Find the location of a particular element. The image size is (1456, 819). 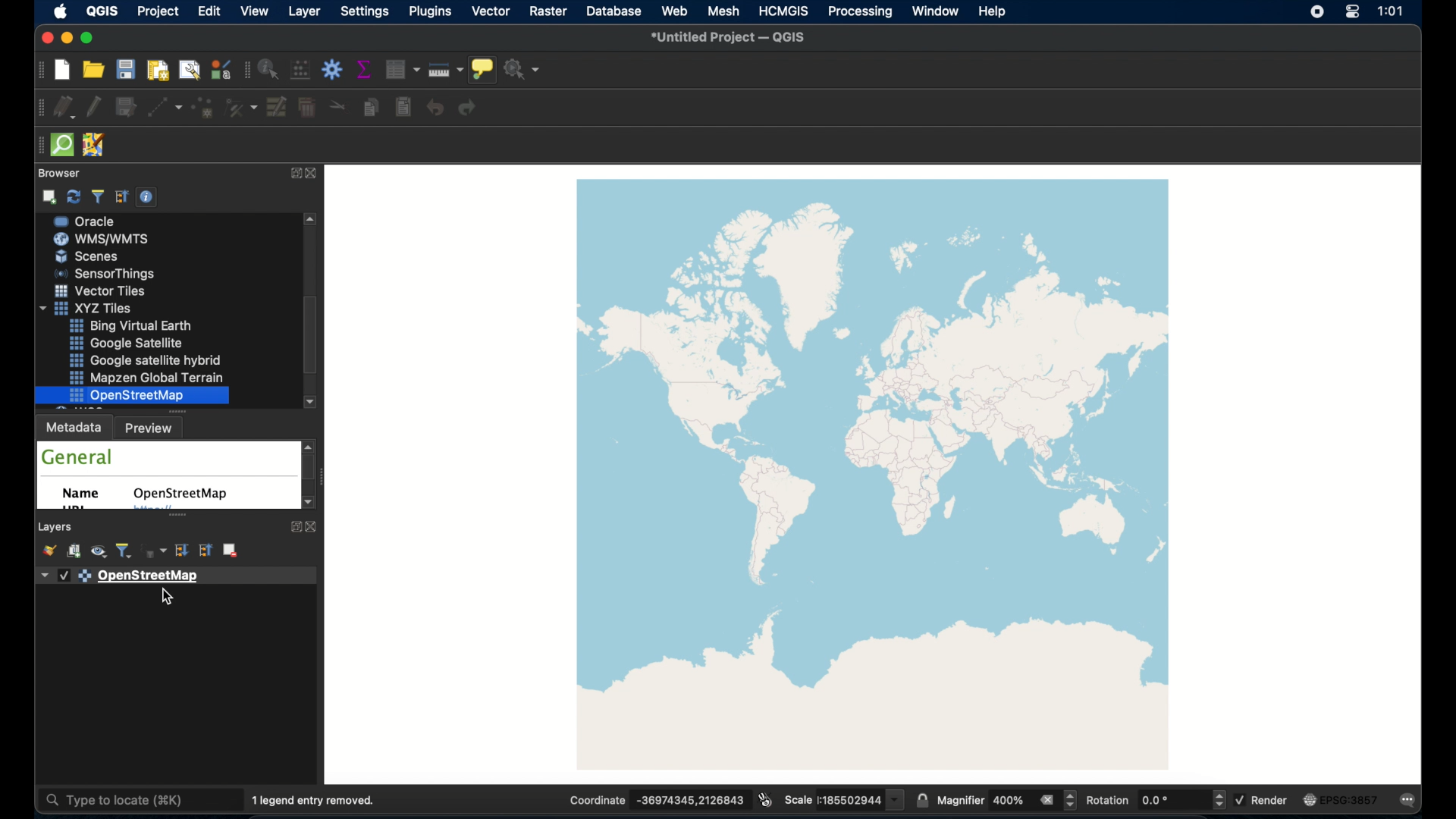

redo is located at coordinates (469, 109).